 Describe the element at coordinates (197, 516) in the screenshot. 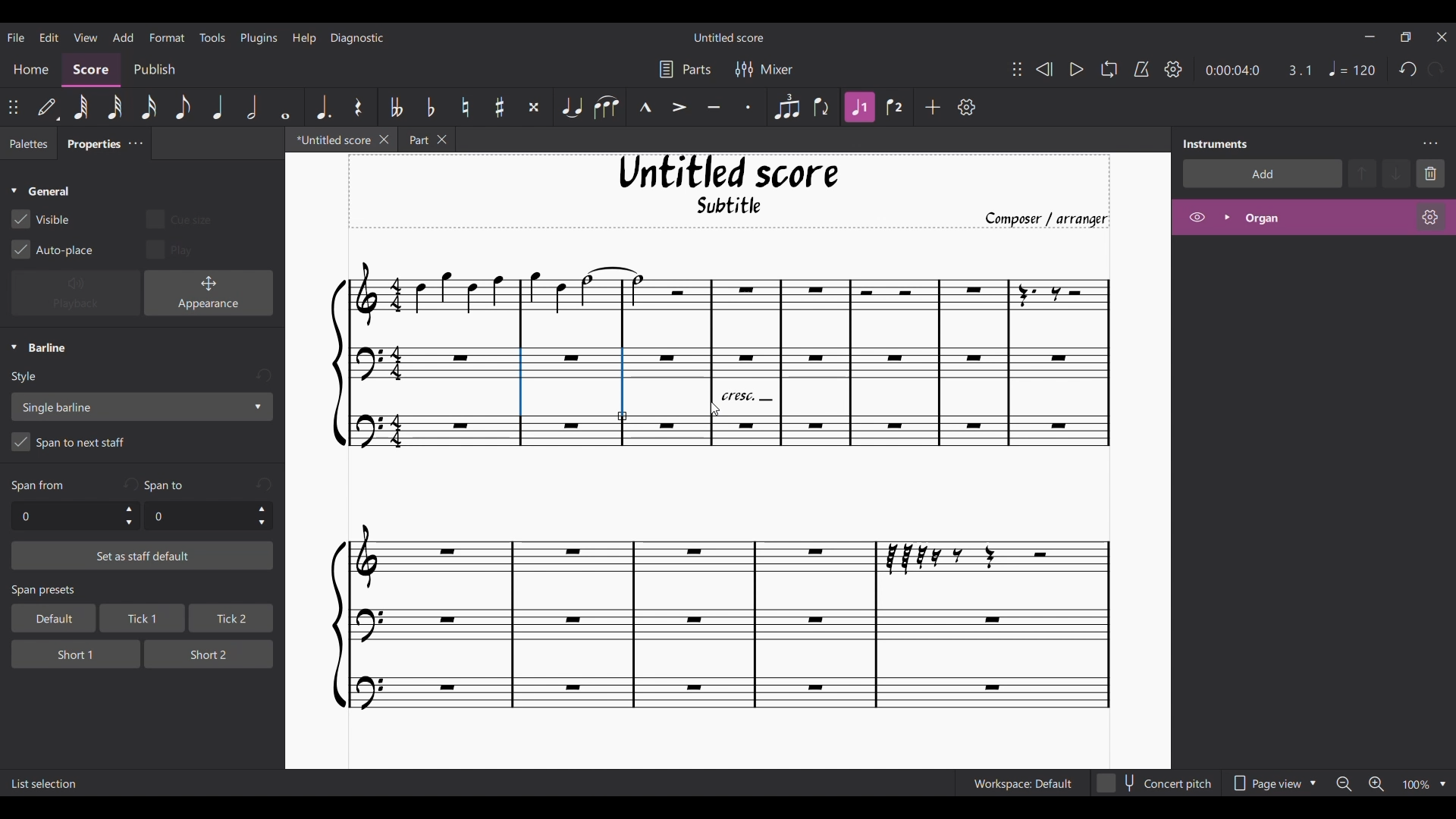

I see `Type in Span to` at that location.